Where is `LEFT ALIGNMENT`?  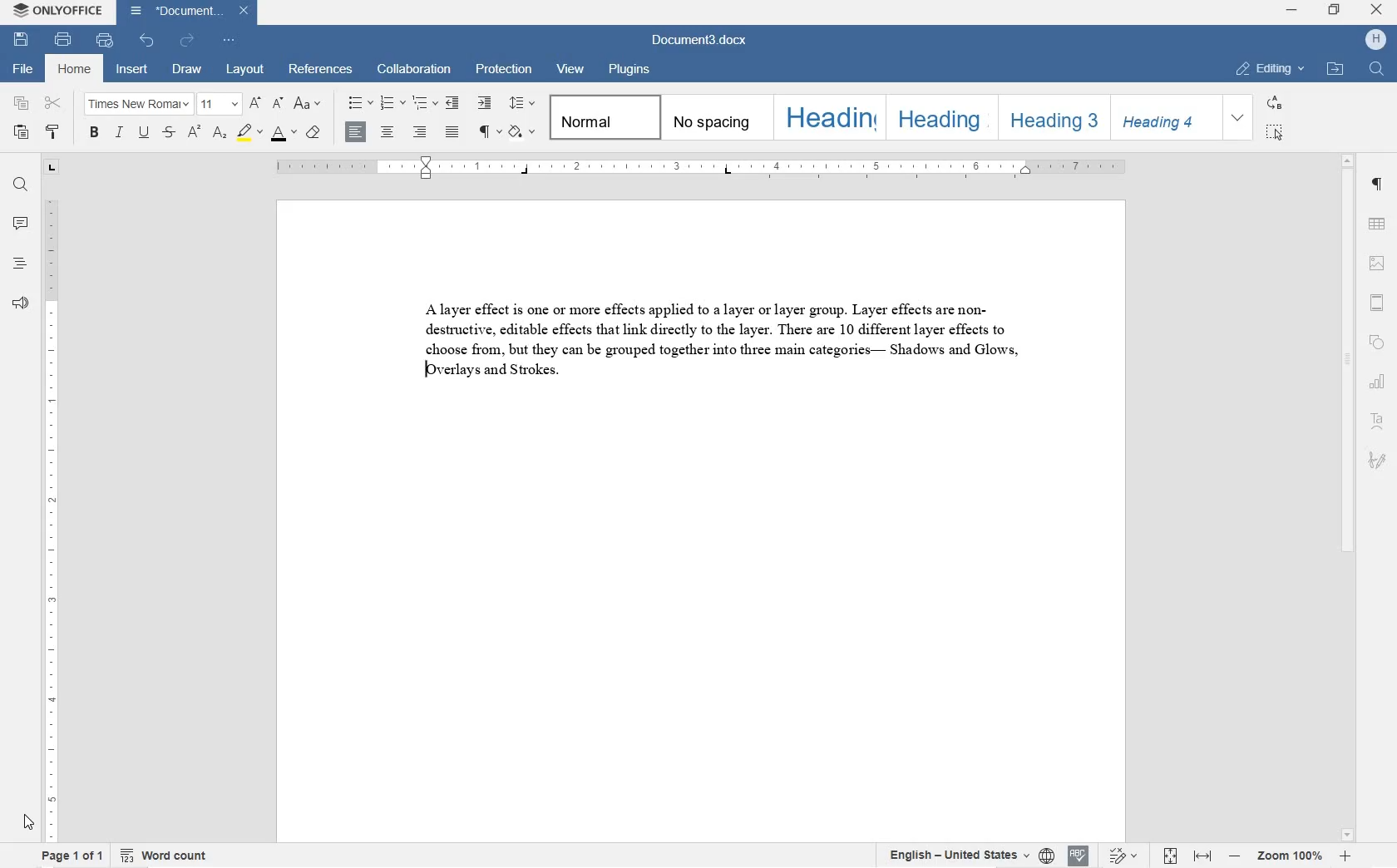
LEFT ALIGNMENT is located at coordinates (358, 131).